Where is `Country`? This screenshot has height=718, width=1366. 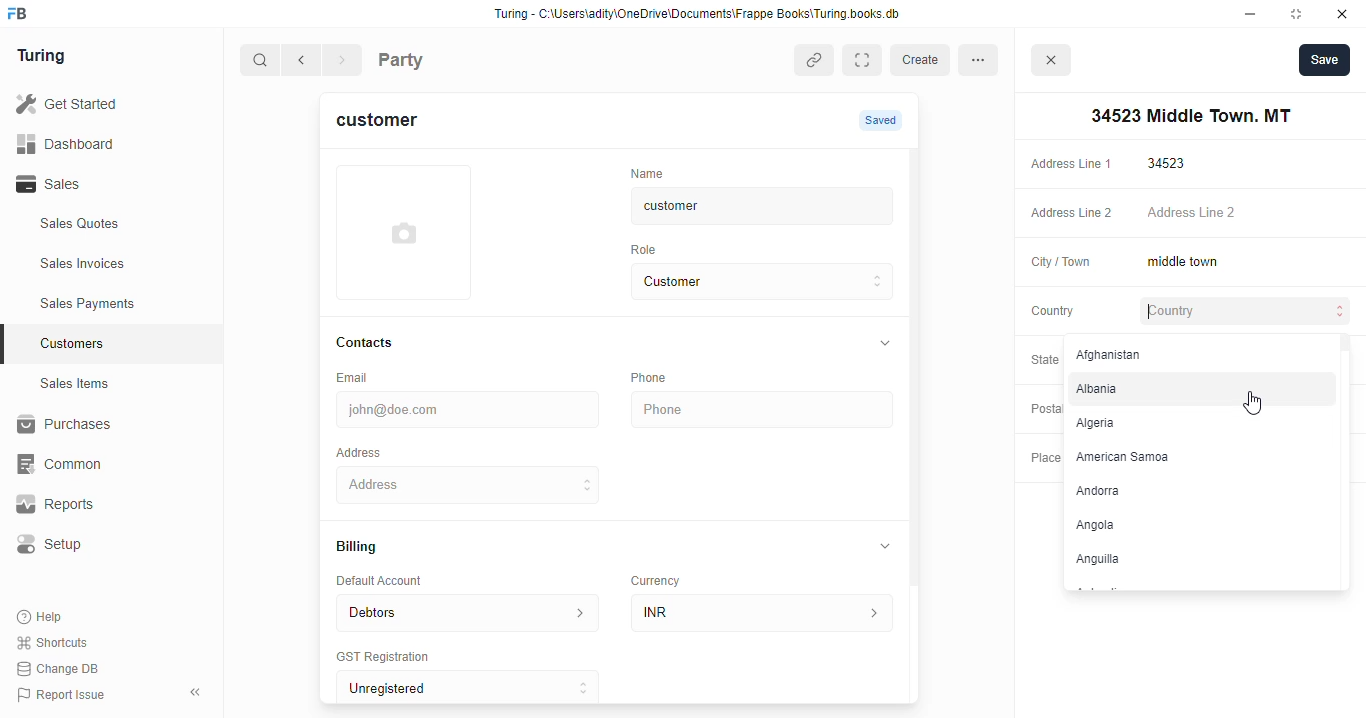 Country is located at coordinates (1248, 313).